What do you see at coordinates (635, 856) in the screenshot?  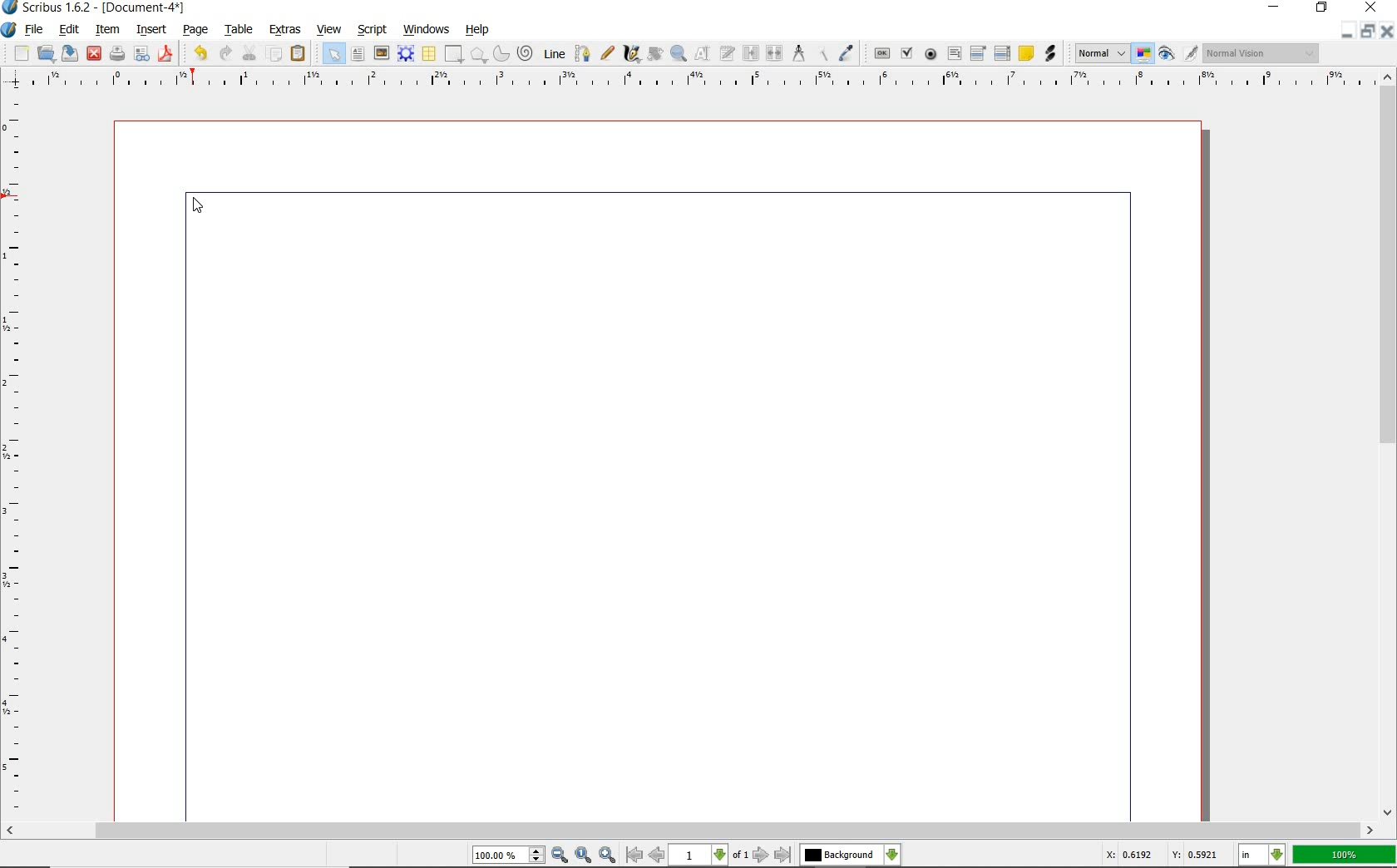 I see `go to first page` at bounding box center [635, 856].